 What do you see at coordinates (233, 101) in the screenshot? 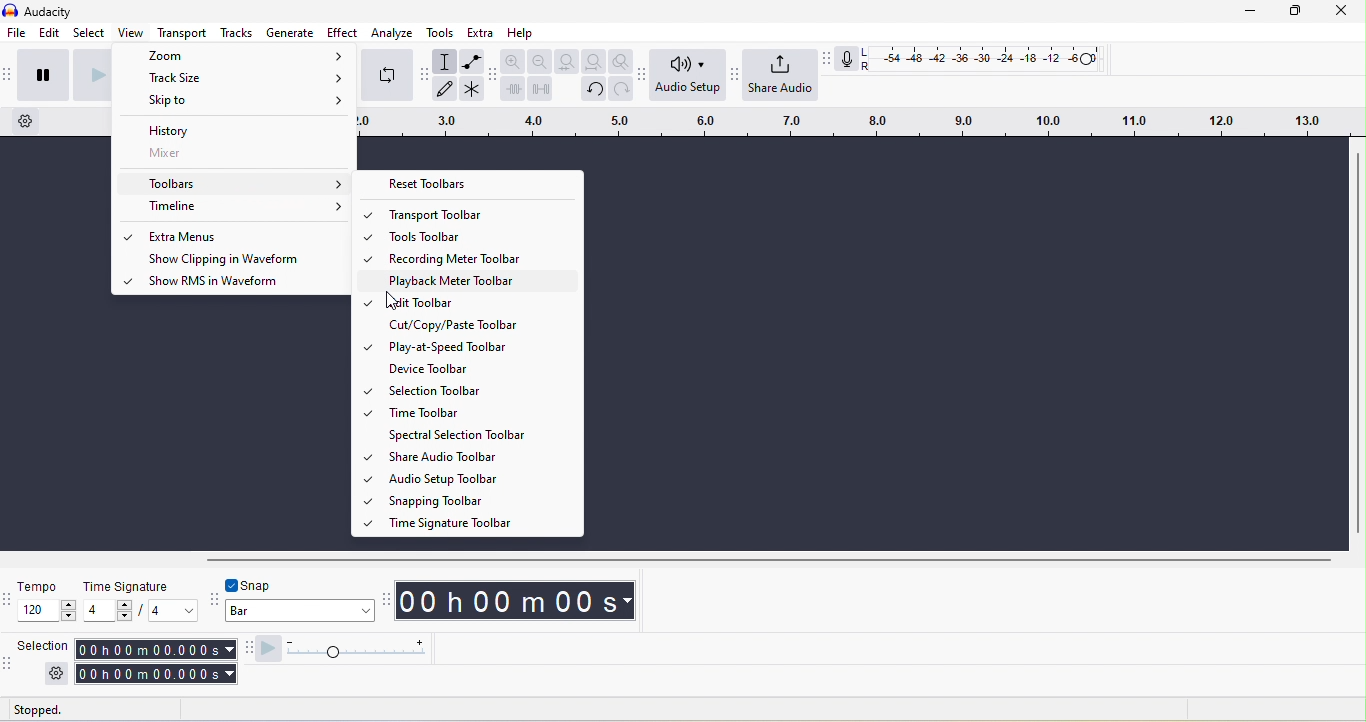
I see `Skip to` at bounding box center [233, 101].